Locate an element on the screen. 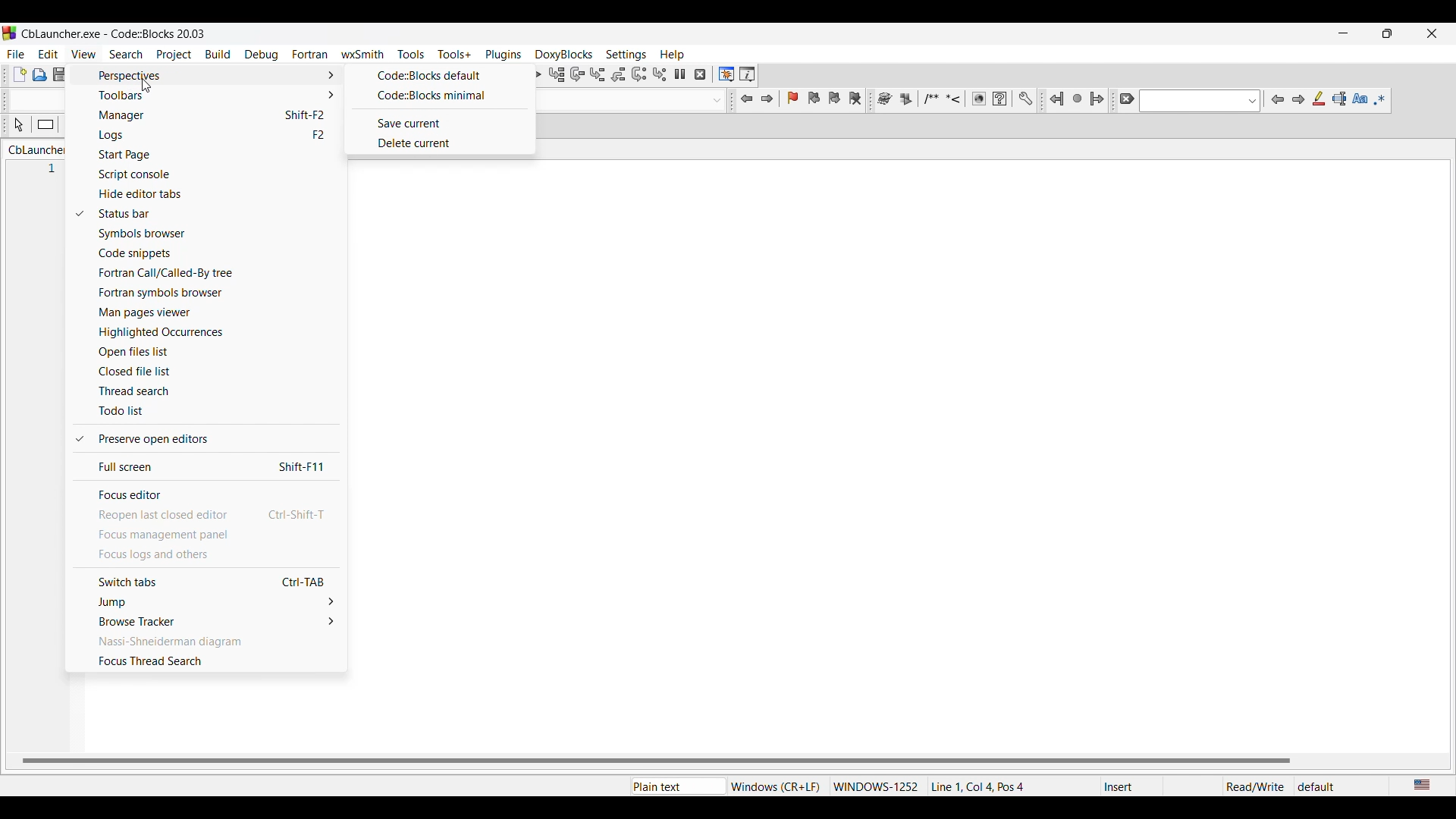 The height and width of the screenshot is (819, 1456). Open is located at coordinates (40, 75).